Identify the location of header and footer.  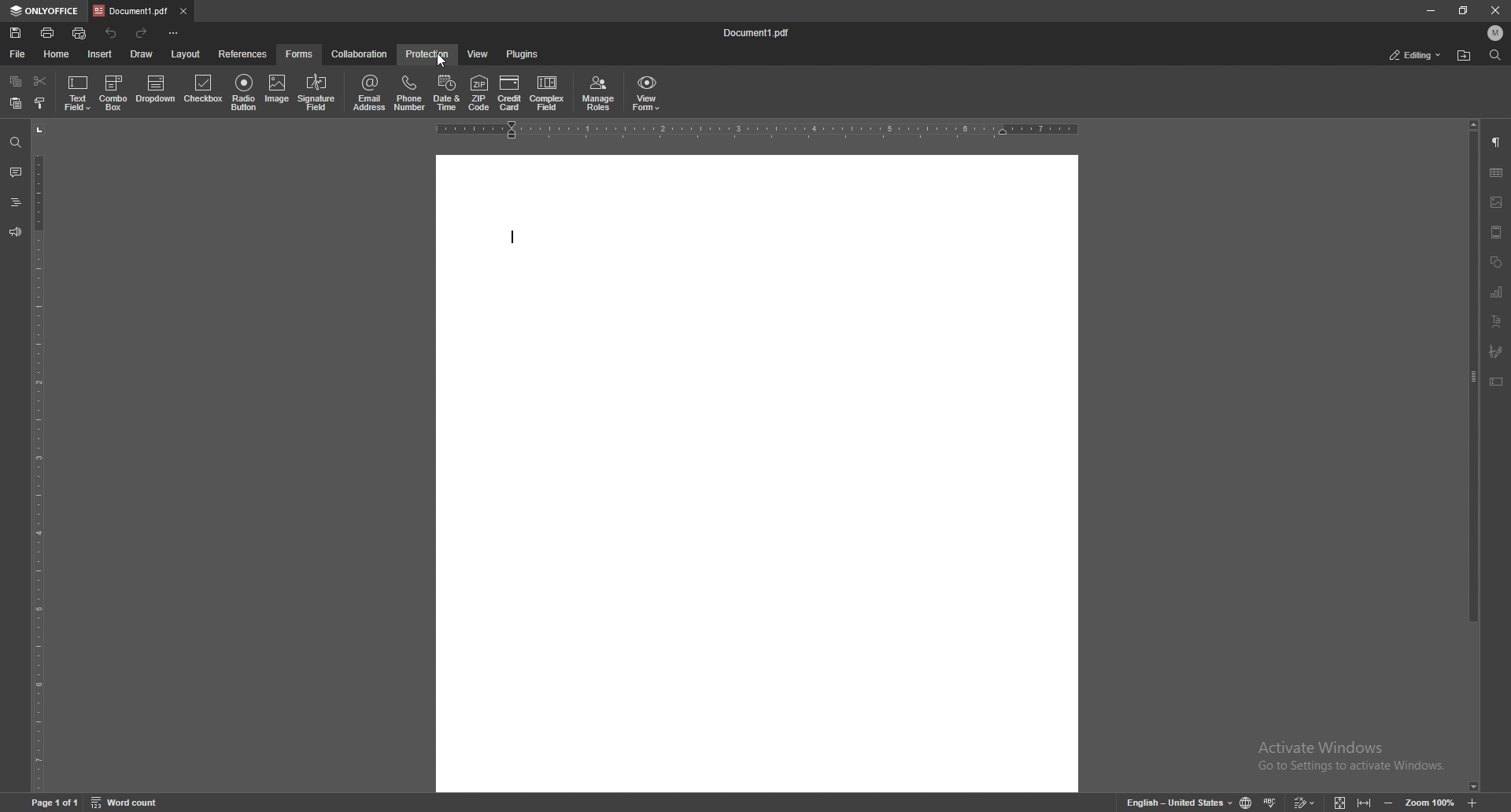
(1496, 232).